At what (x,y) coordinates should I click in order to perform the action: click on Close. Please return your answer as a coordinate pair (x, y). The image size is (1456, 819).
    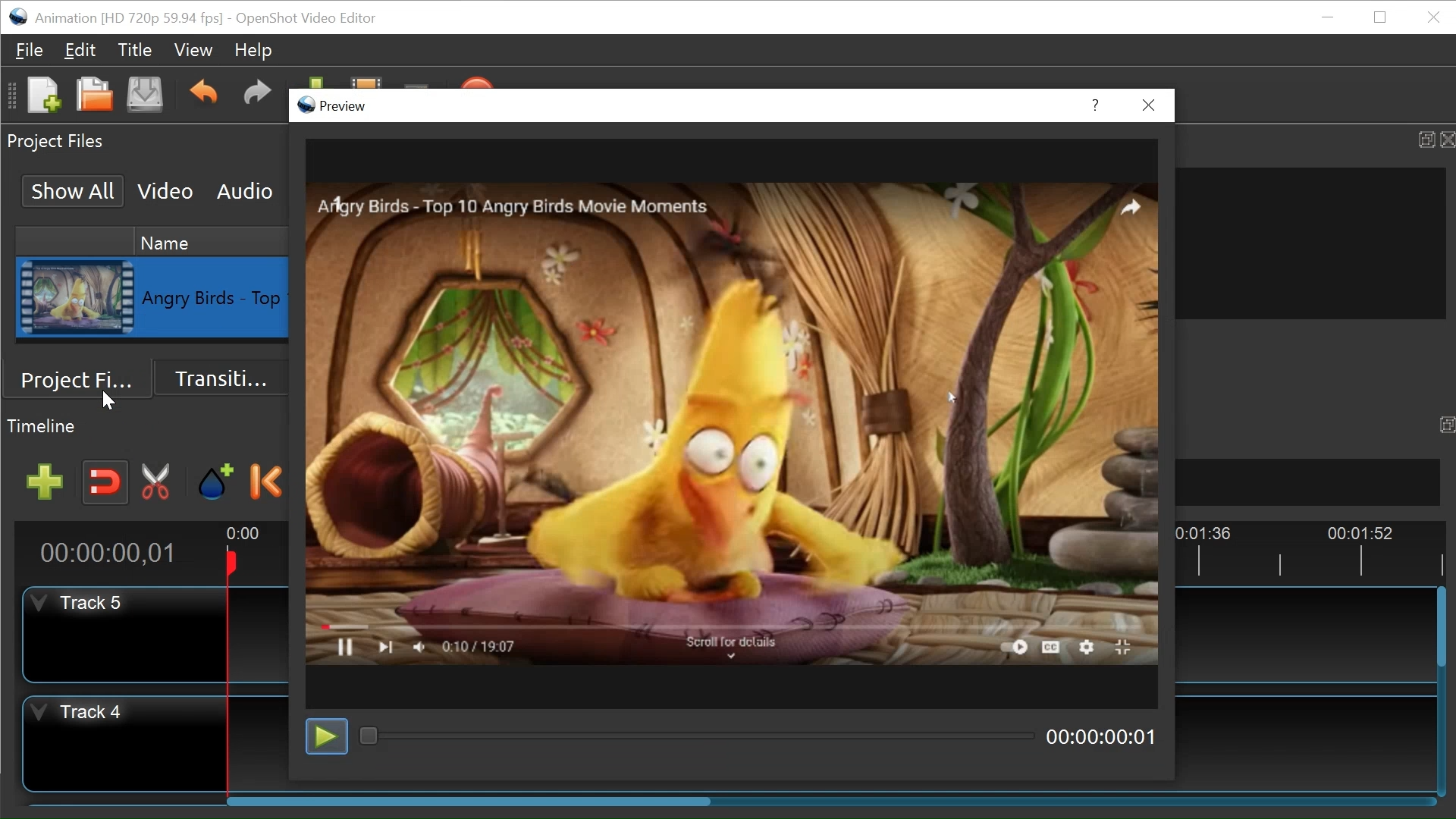
    Looking at the image, I should click on (1434, 17).